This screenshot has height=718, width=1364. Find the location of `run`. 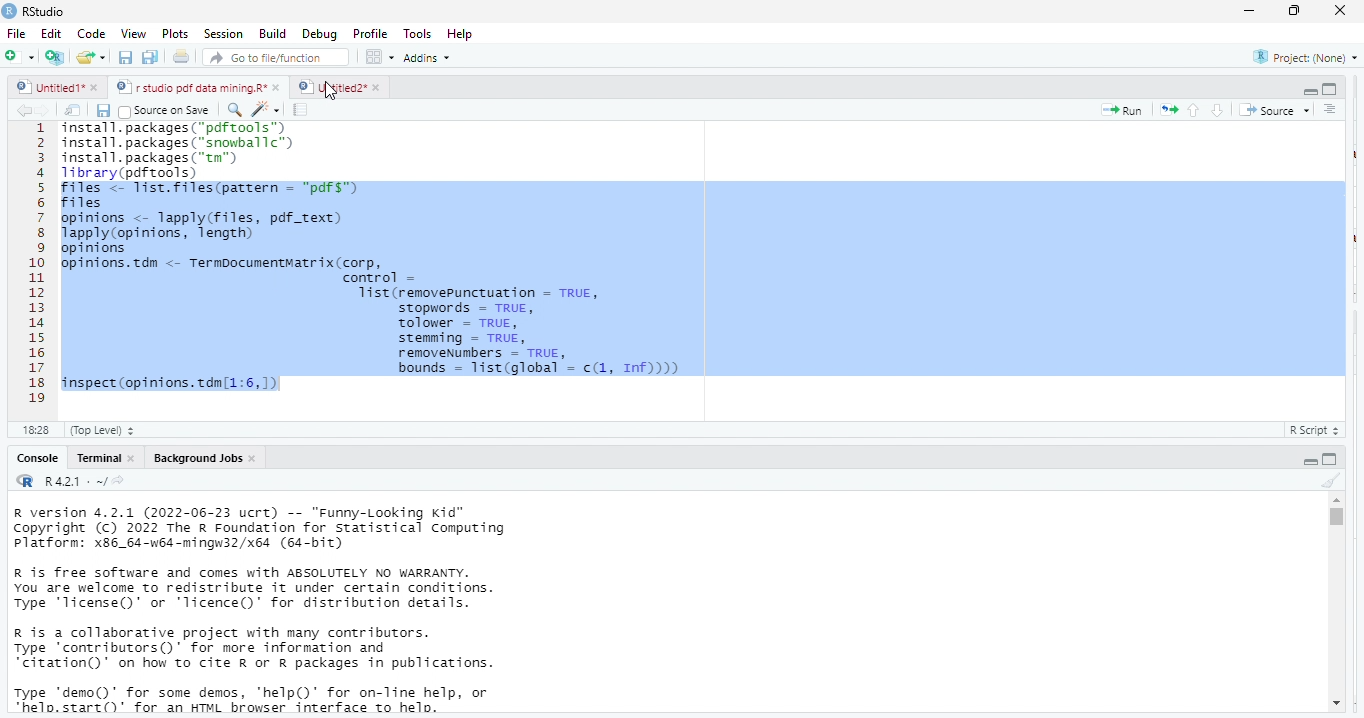

run is located at coordinates (1122, 110).